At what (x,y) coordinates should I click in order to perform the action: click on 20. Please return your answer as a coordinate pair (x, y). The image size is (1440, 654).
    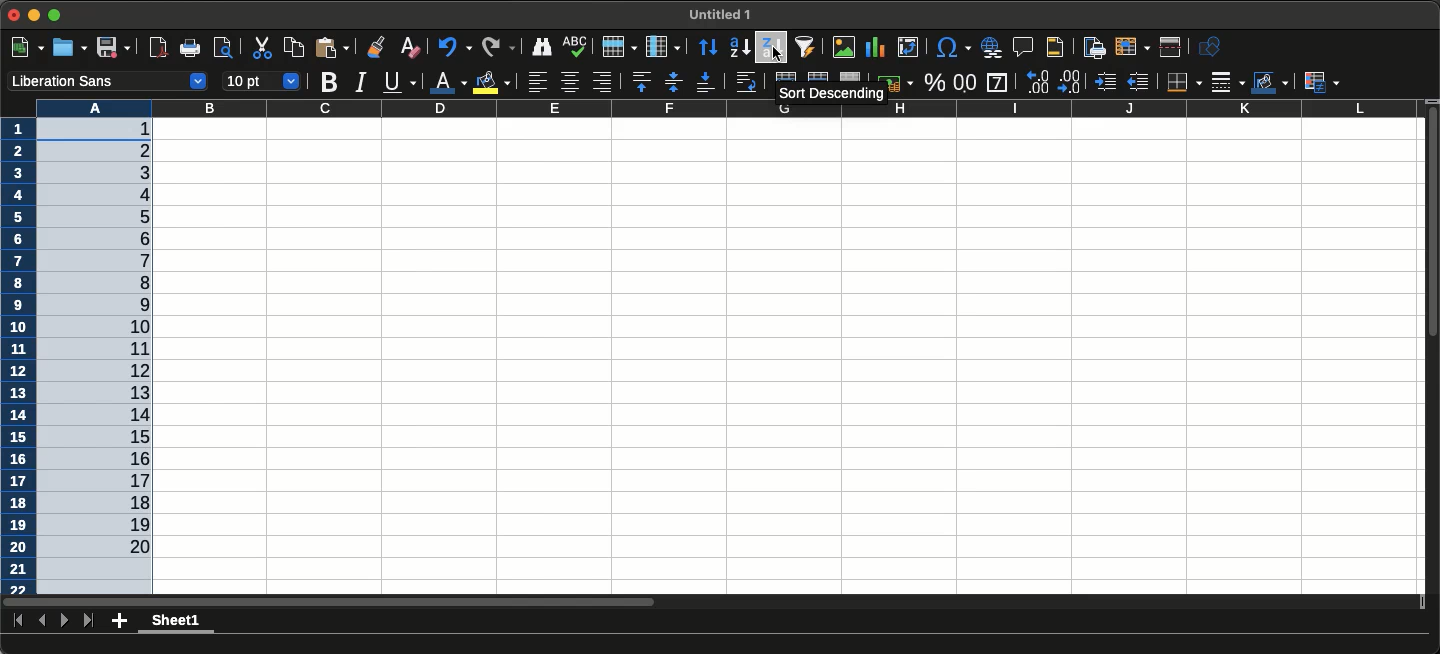
    Looking at the image, I should click on (131, 546).